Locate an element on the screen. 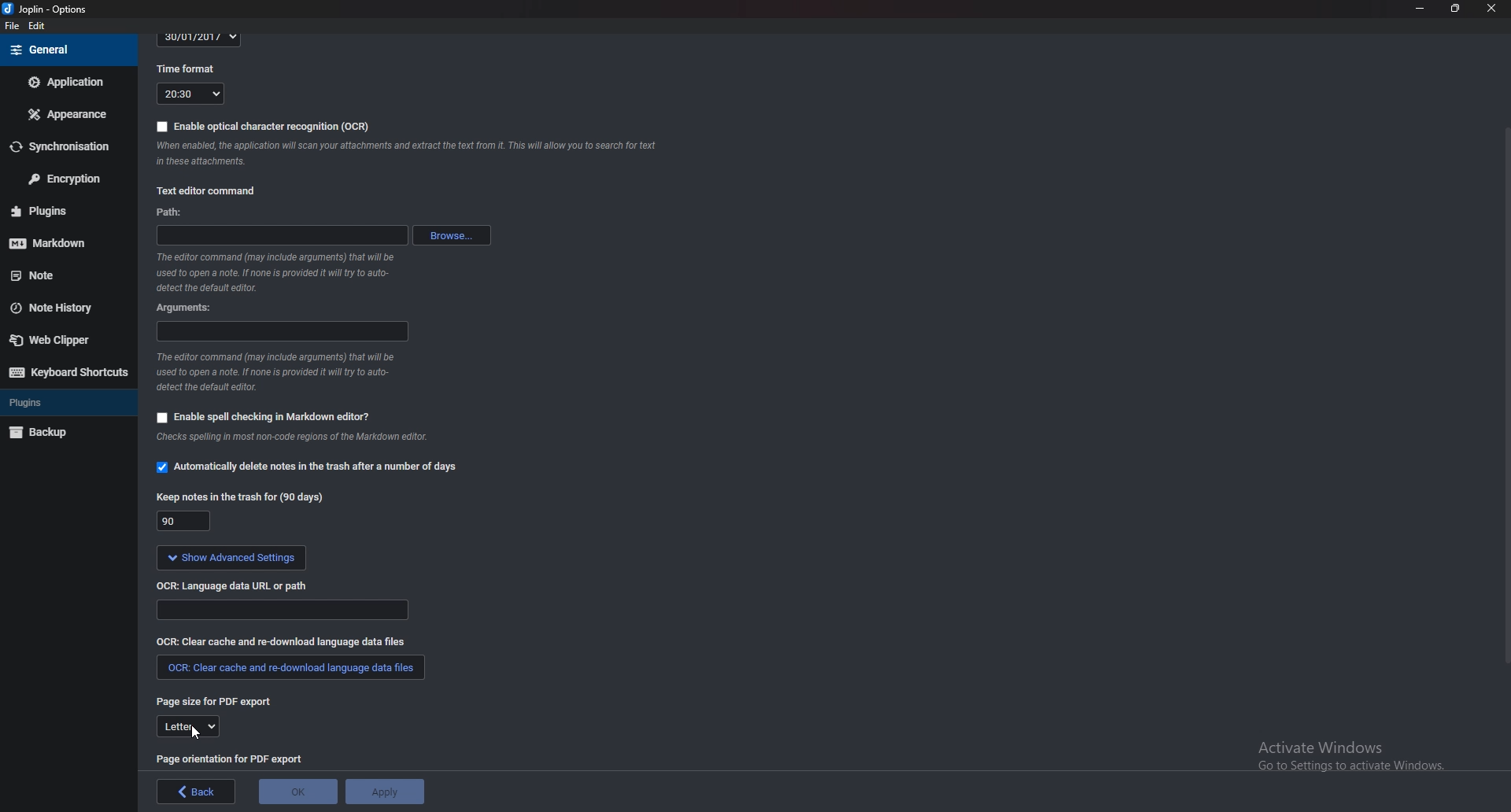 This screenshot has height=812, width=1511. Redownload language data is located at coordinates (291, 668).